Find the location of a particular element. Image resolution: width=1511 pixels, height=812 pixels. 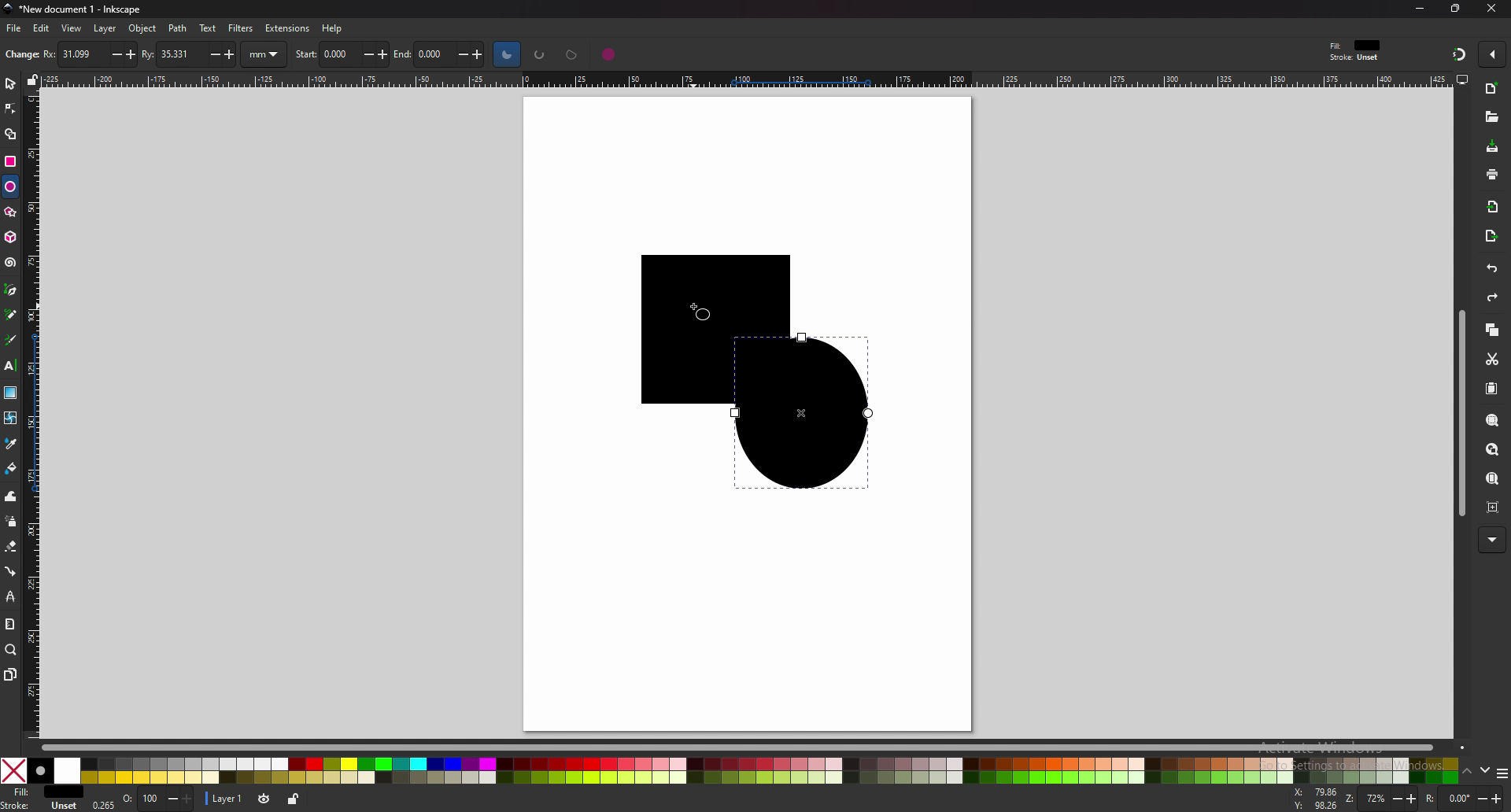

zoom selection is located at coordinates (1491, 421).